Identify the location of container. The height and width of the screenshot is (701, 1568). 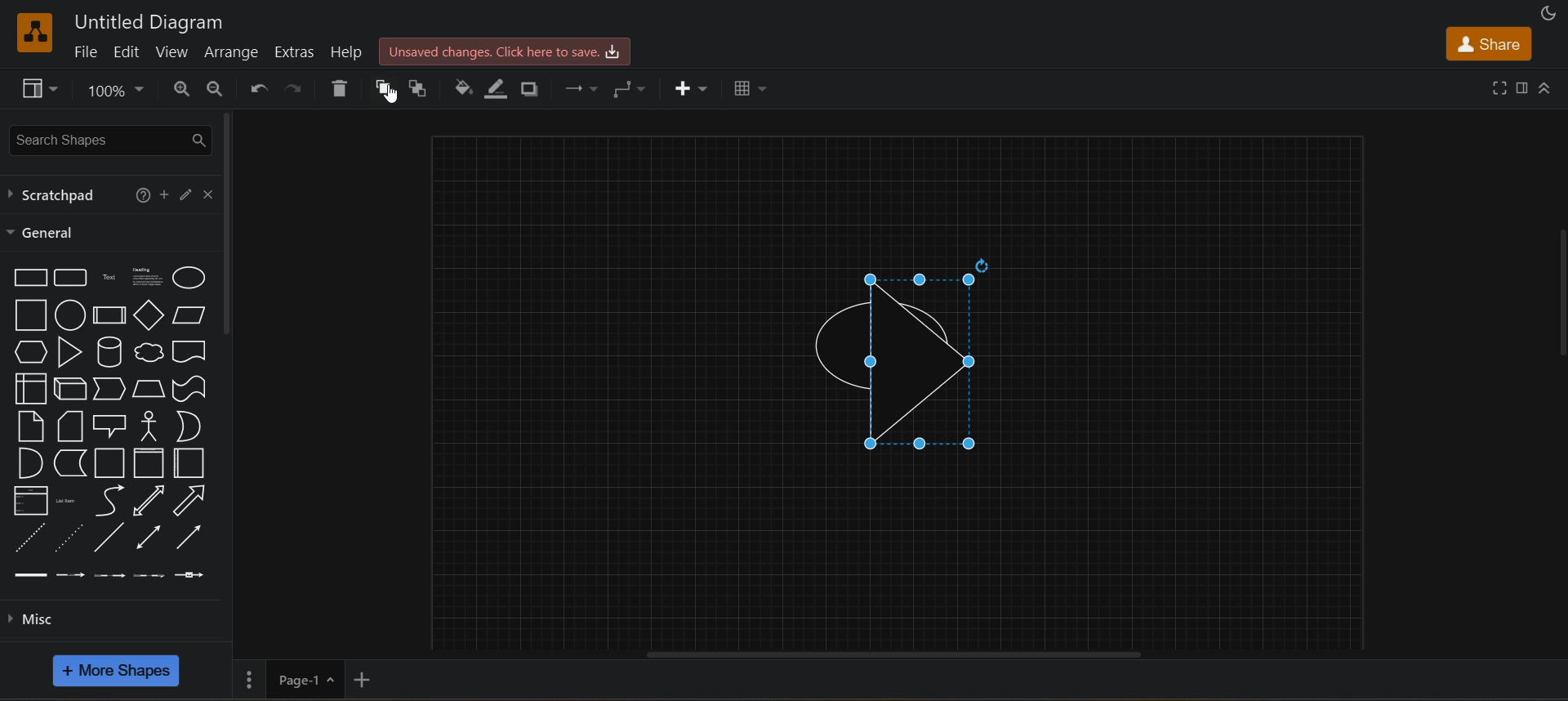
(109, 463).